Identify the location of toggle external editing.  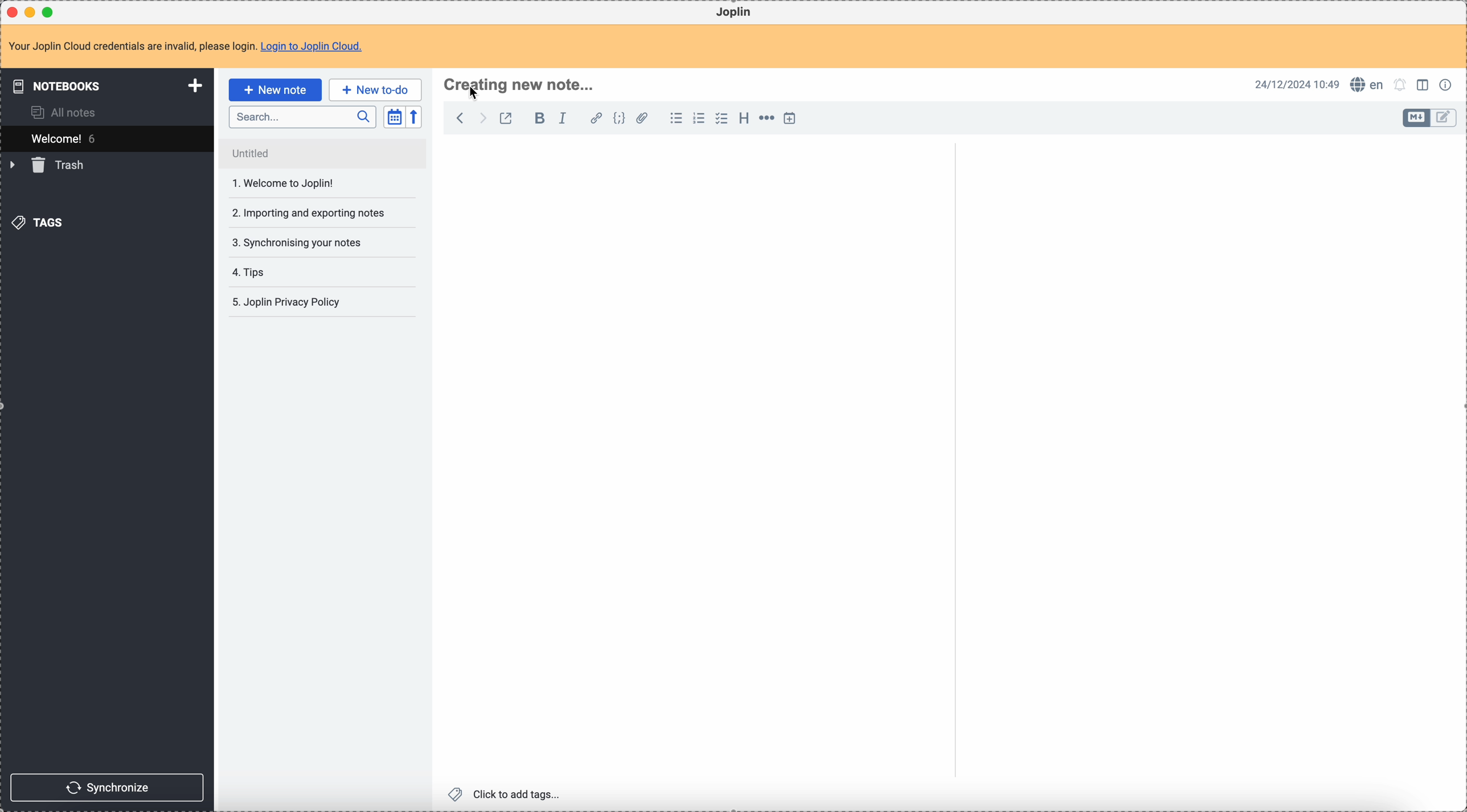
(505, 118).